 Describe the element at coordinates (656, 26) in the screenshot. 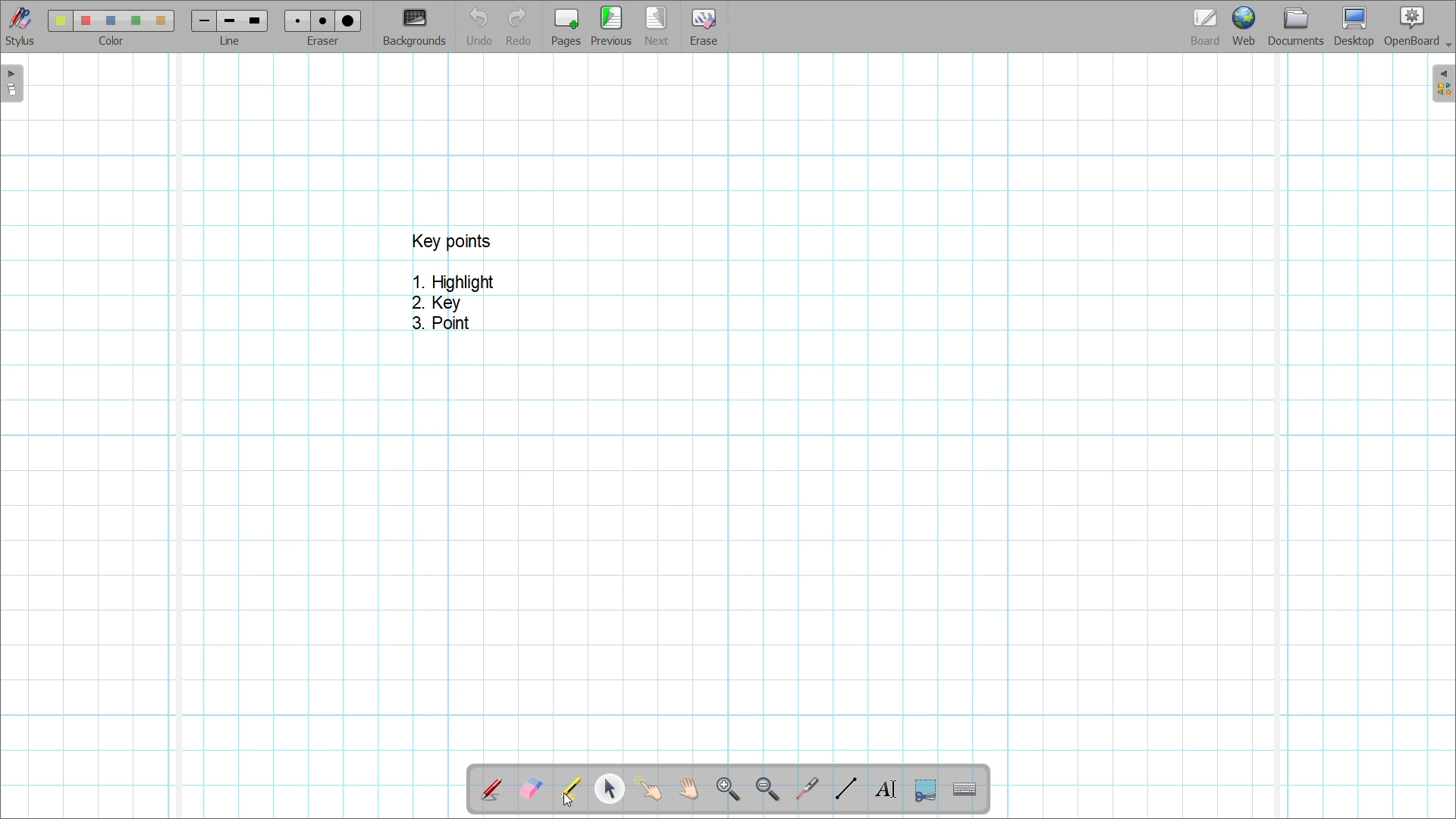

I see `Go to next page` at that location.